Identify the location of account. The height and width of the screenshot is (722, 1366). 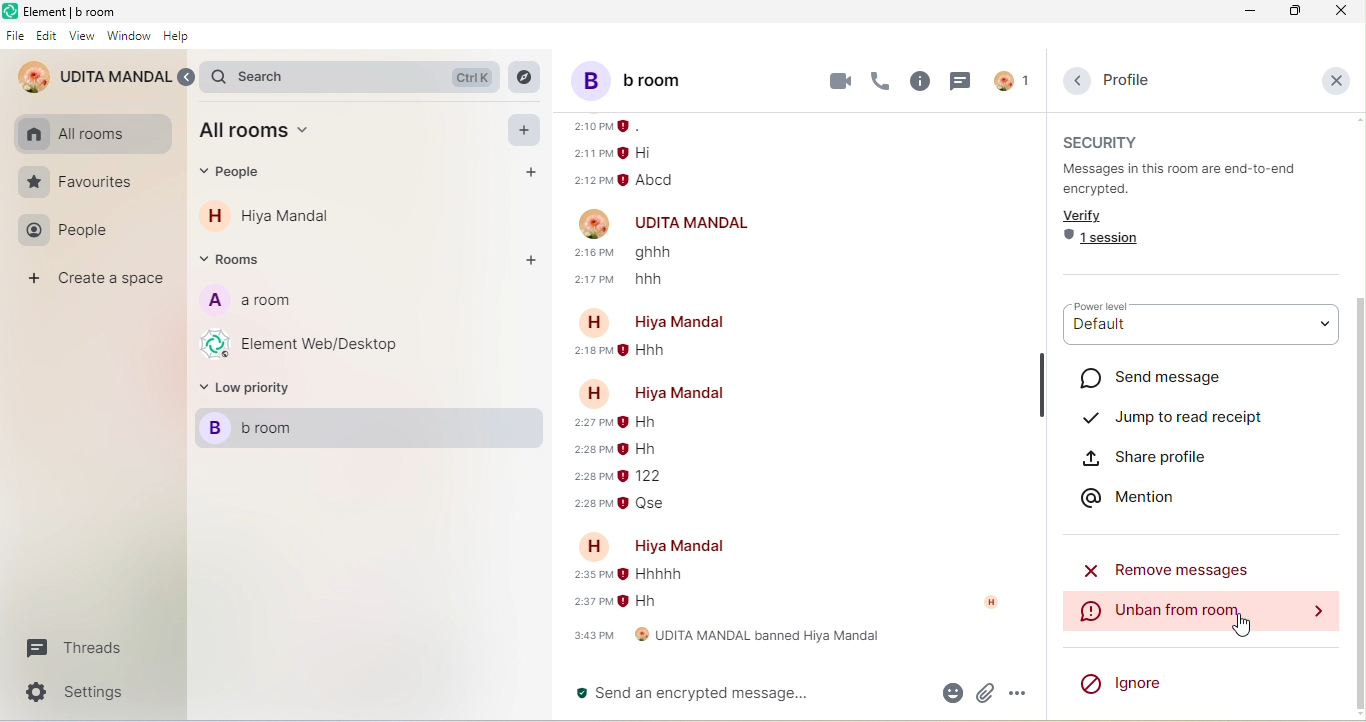
(999, 603).